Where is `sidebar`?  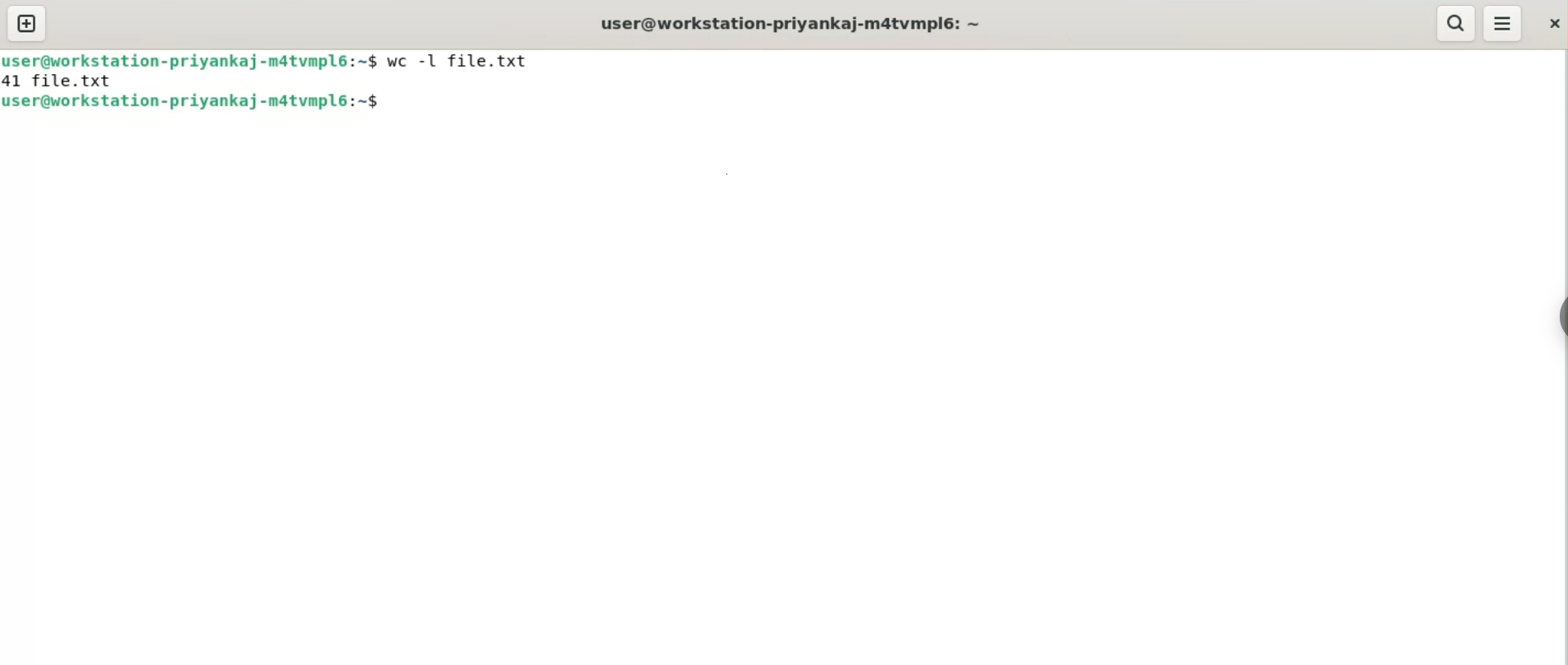
sidebar is located at coordinates (1558, 316).